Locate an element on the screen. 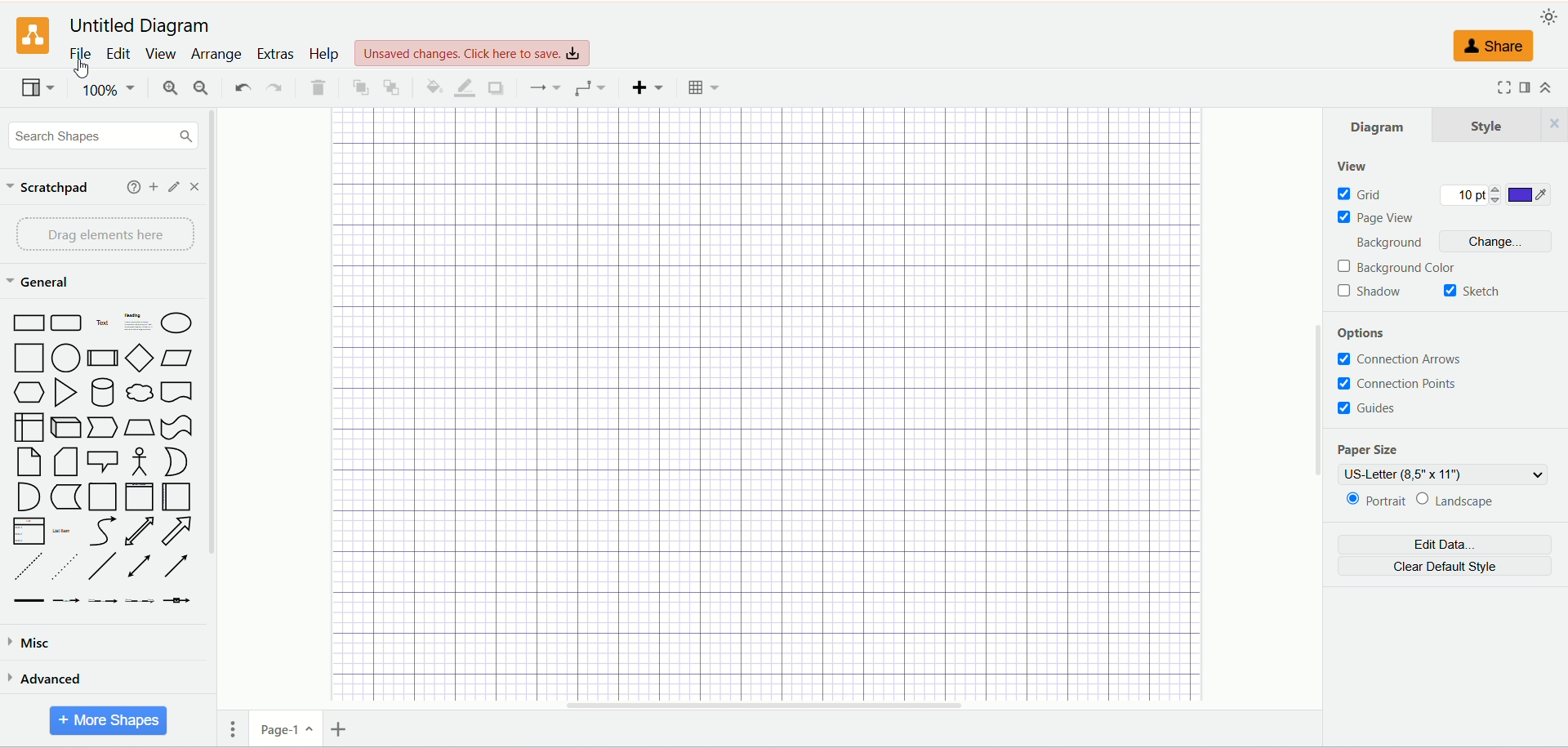 Image resolution: width=1568 pixels, height=748 pixels. click here to save is located at coordinates (474, 51).